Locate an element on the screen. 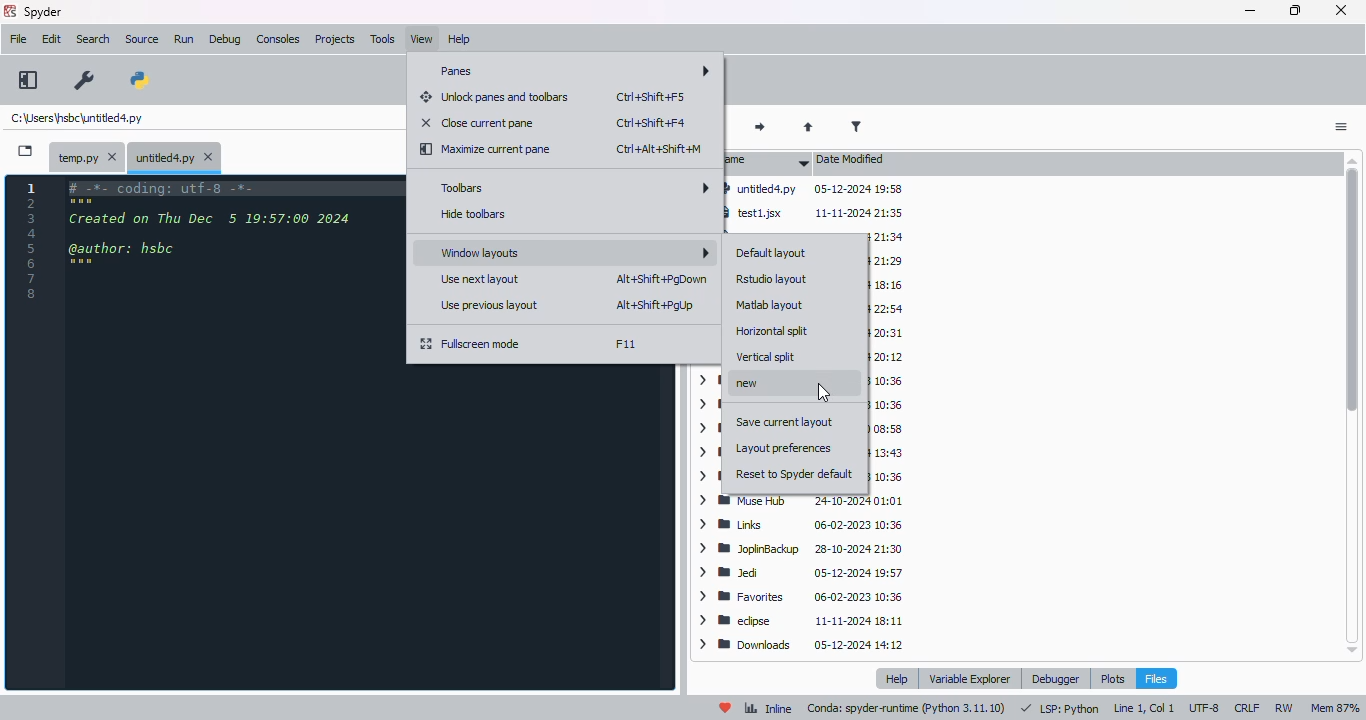 This screenshot has width=1366, height=720. Saved Games is located at coordinates (889, 405).